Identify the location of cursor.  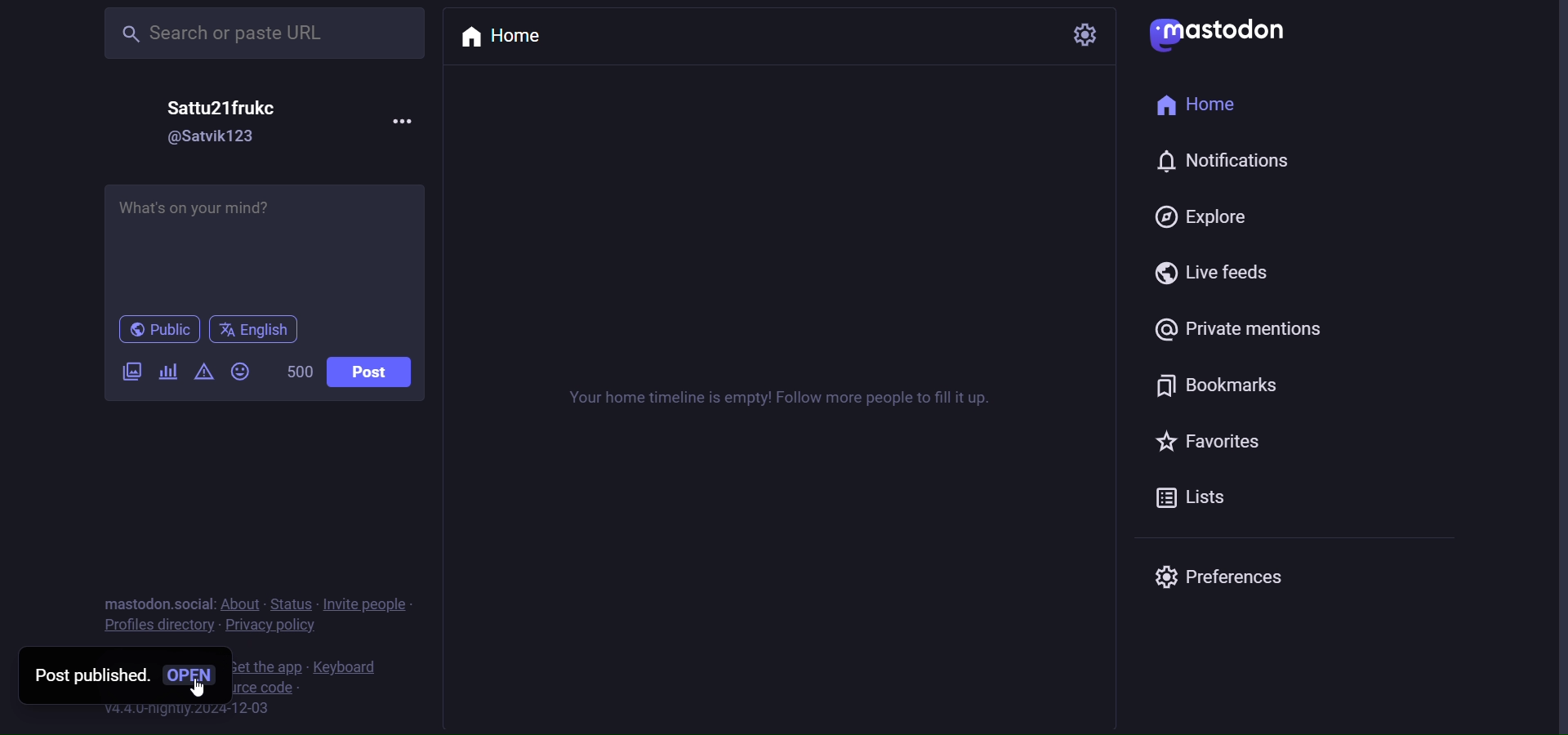
(210, 692).